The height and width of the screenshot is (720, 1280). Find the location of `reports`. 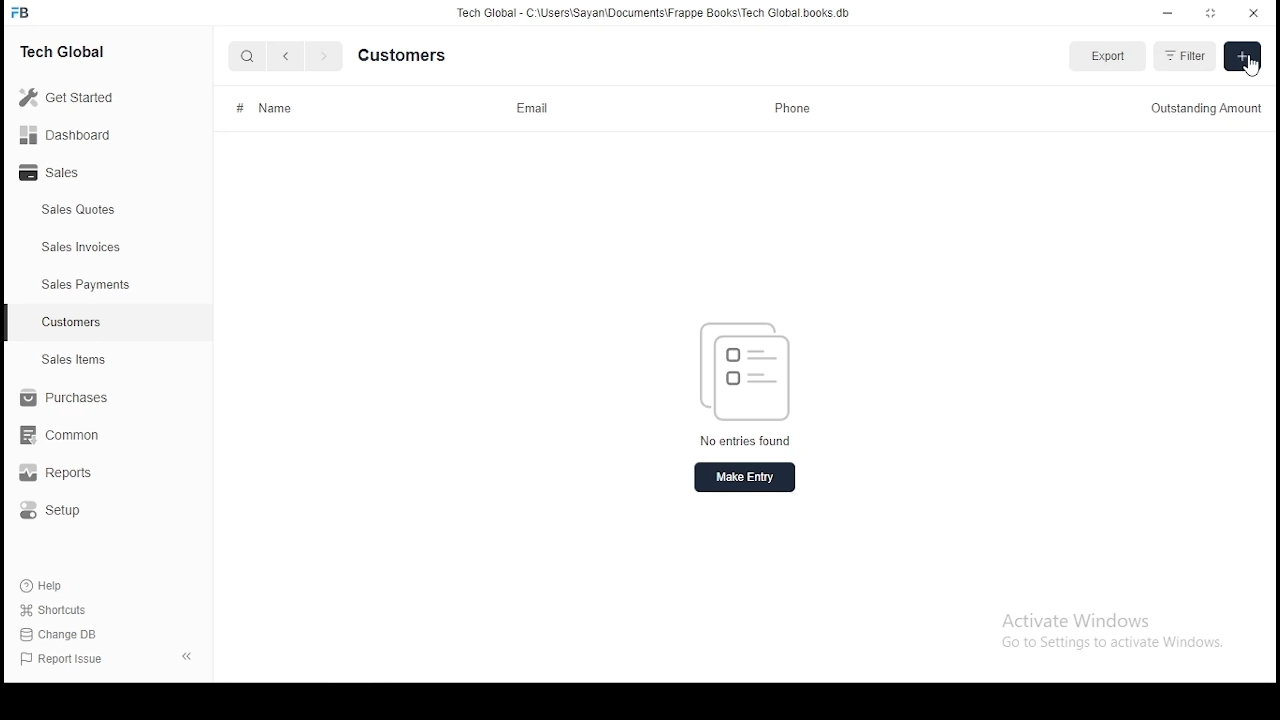

reports is located at coordinates (64, 474).